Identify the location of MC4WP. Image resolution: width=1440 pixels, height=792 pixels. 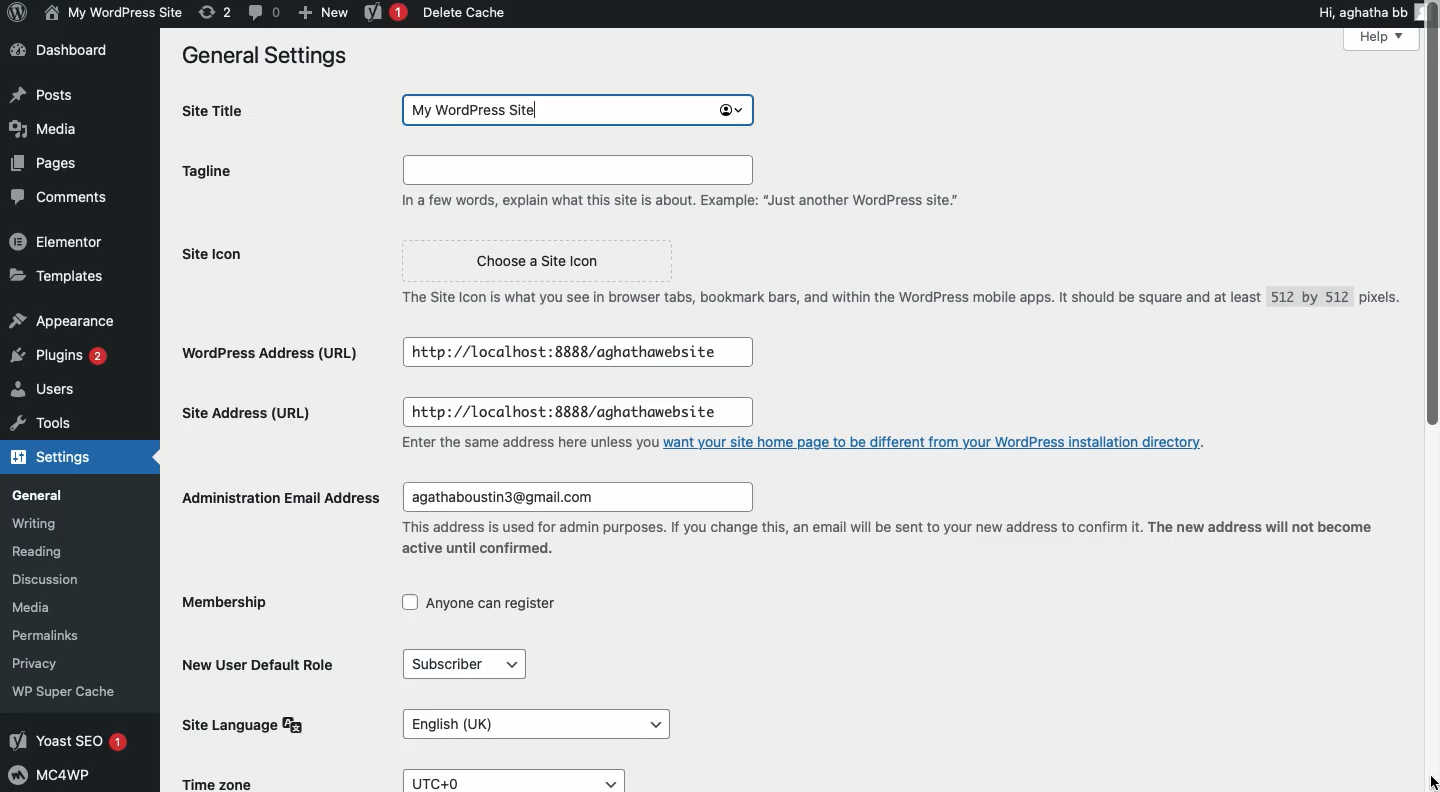
(53, 777).